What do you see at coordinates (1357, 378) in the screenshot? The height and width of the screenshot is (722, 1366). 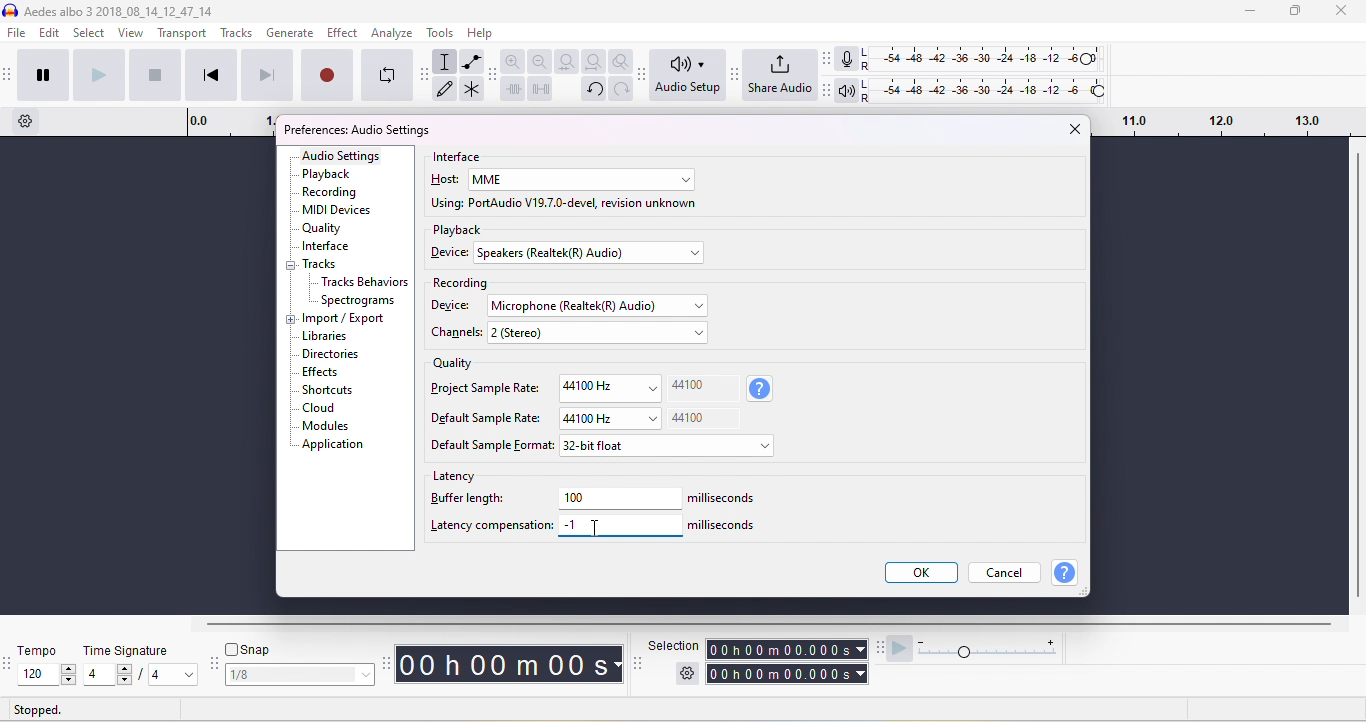 I see `vertical scroll bar` at bounding box center [1357, 378].